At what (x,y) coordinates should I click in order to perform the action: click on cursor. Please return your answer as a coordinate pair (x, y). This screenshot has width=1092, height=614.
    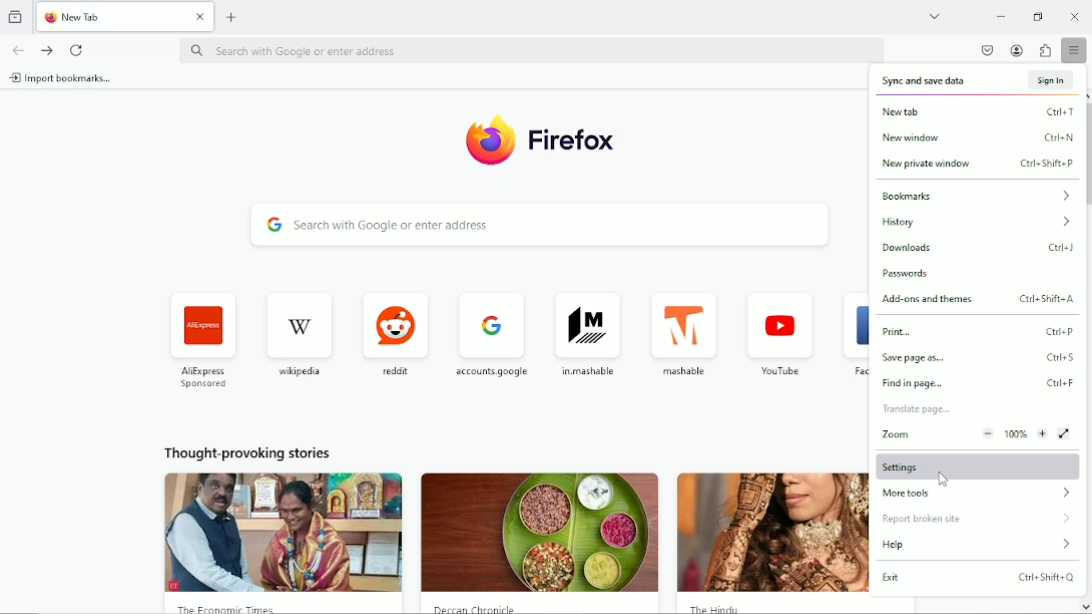
    Looking at the image, I should click on (941, 478).